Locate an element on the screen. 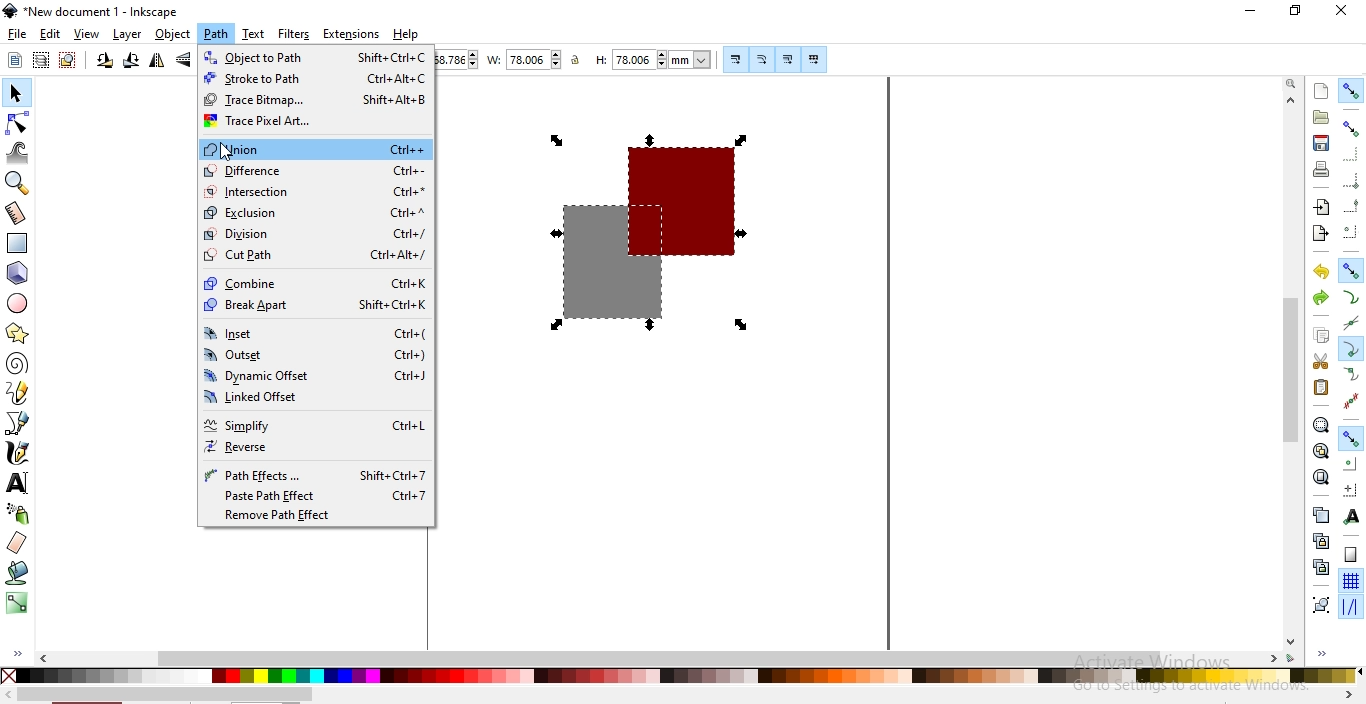  text is located at coordinates (253, 33).